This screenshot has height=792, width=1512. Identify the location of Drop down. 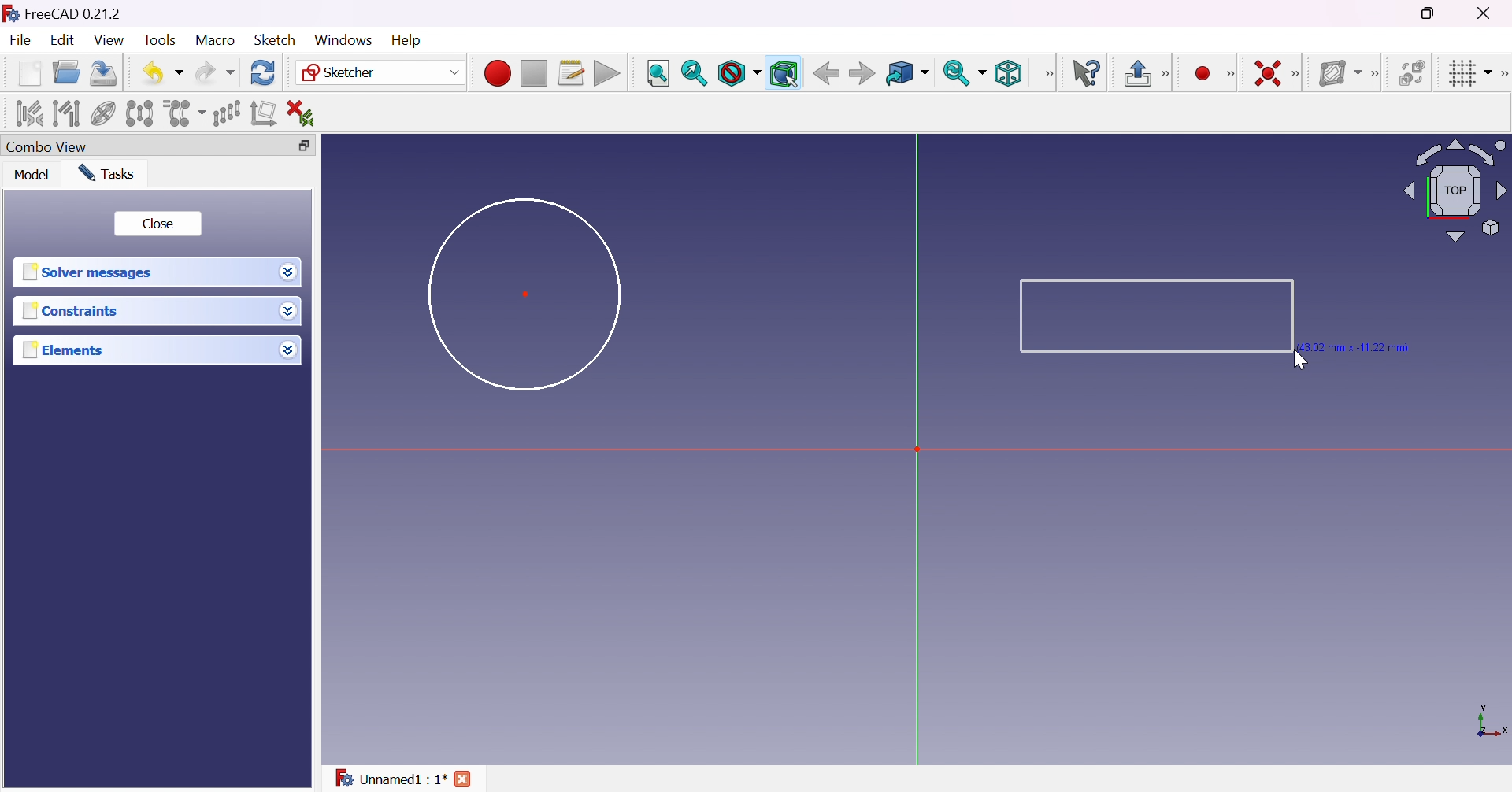
(289, 272).